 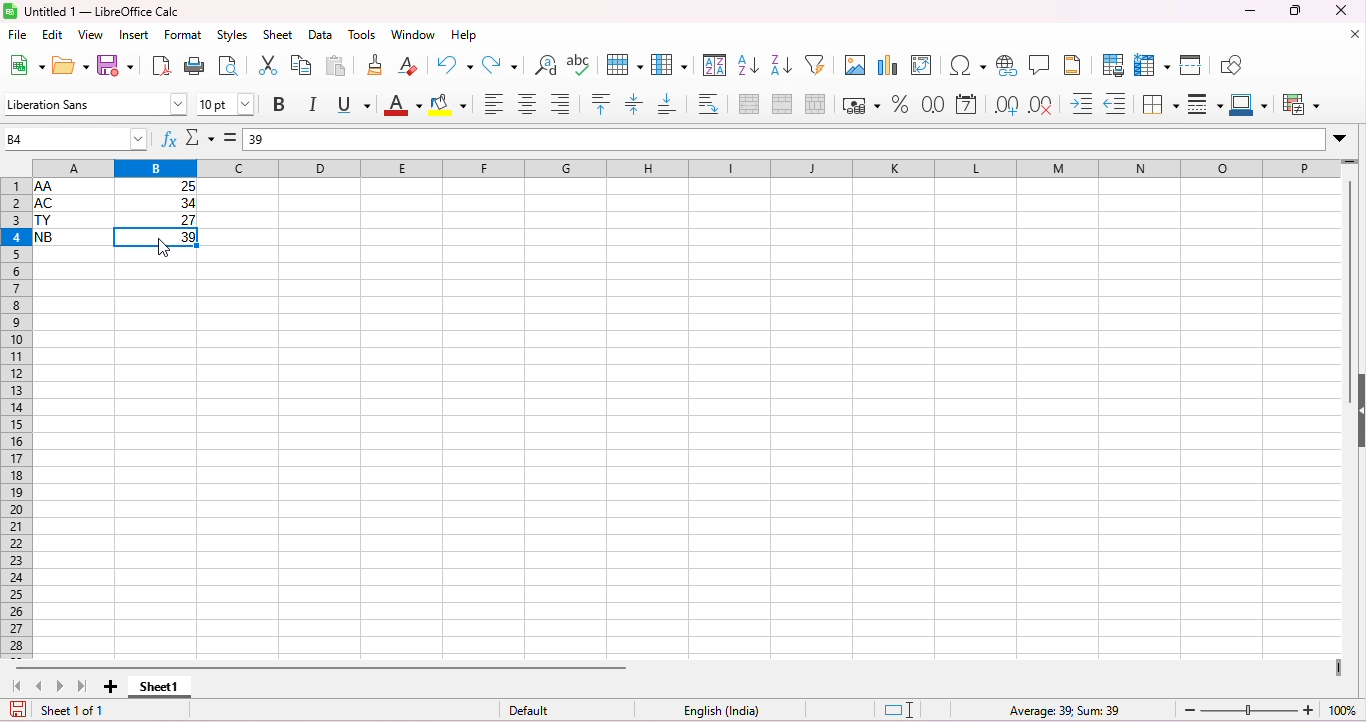 I want to click on drop down, so click(x=1342, y=137).